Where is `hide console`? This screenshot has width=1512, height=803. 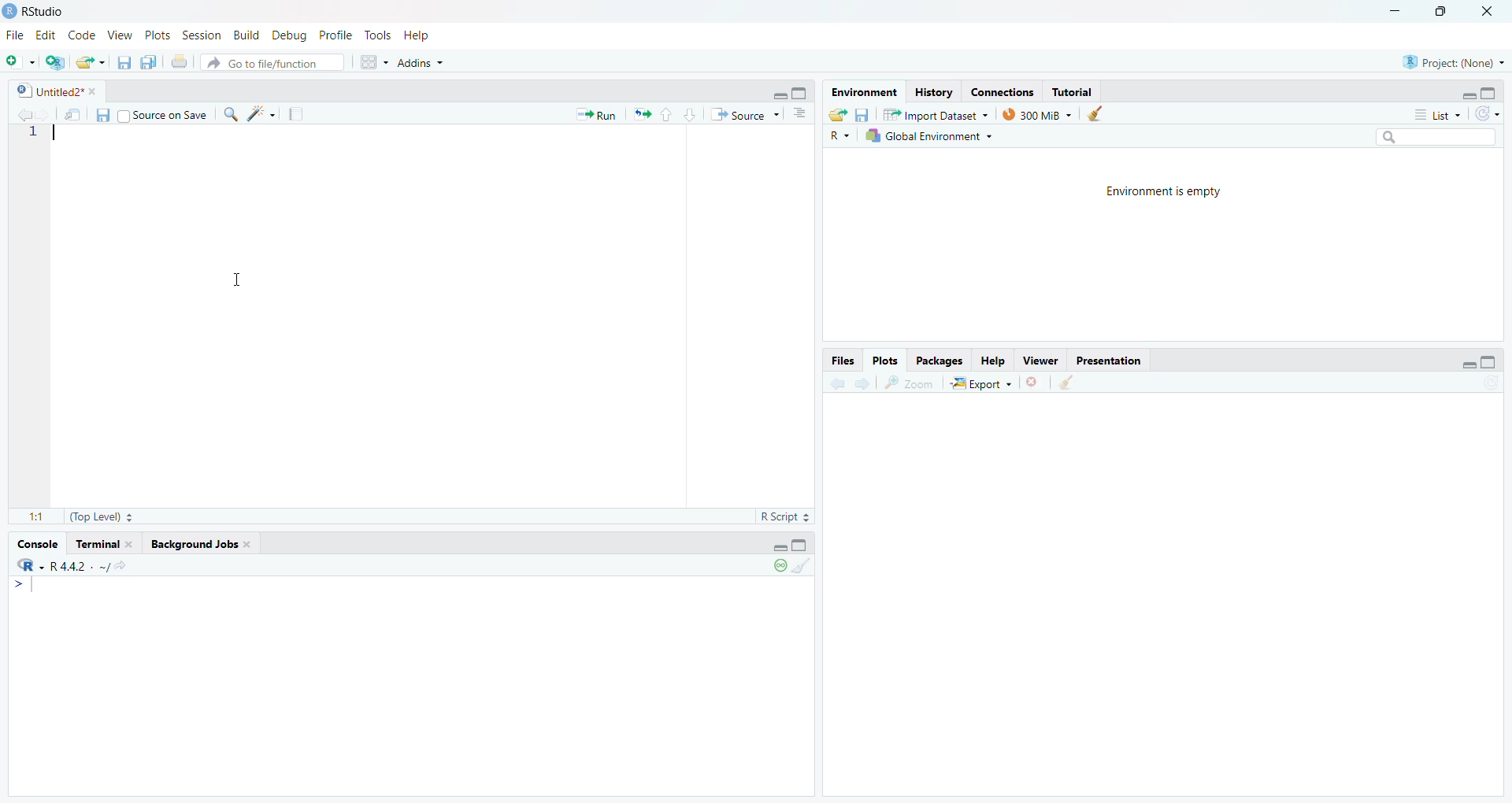 hide console is located at coordinates (1492, 92).